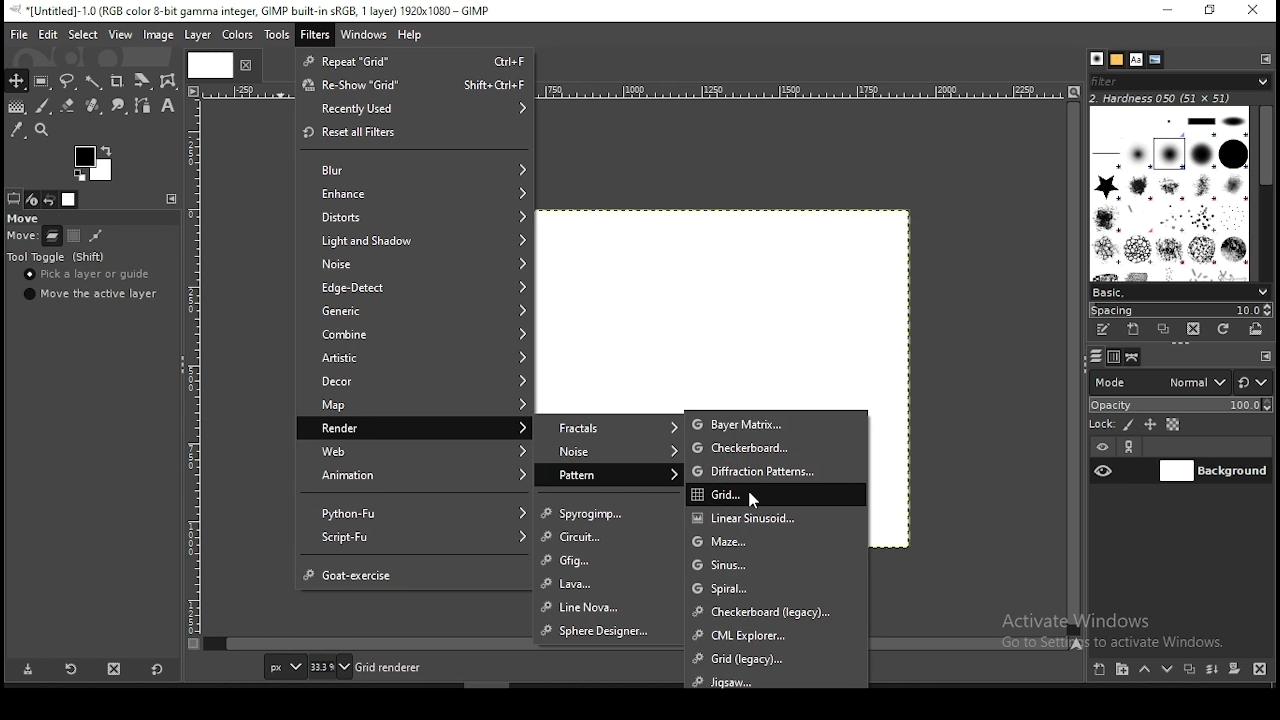 The width and height of the screenshot is (1280, 720). What do you see at coordinates (198, 35) in the screenshot?
I see `layer` at bounding box center [198, 35].